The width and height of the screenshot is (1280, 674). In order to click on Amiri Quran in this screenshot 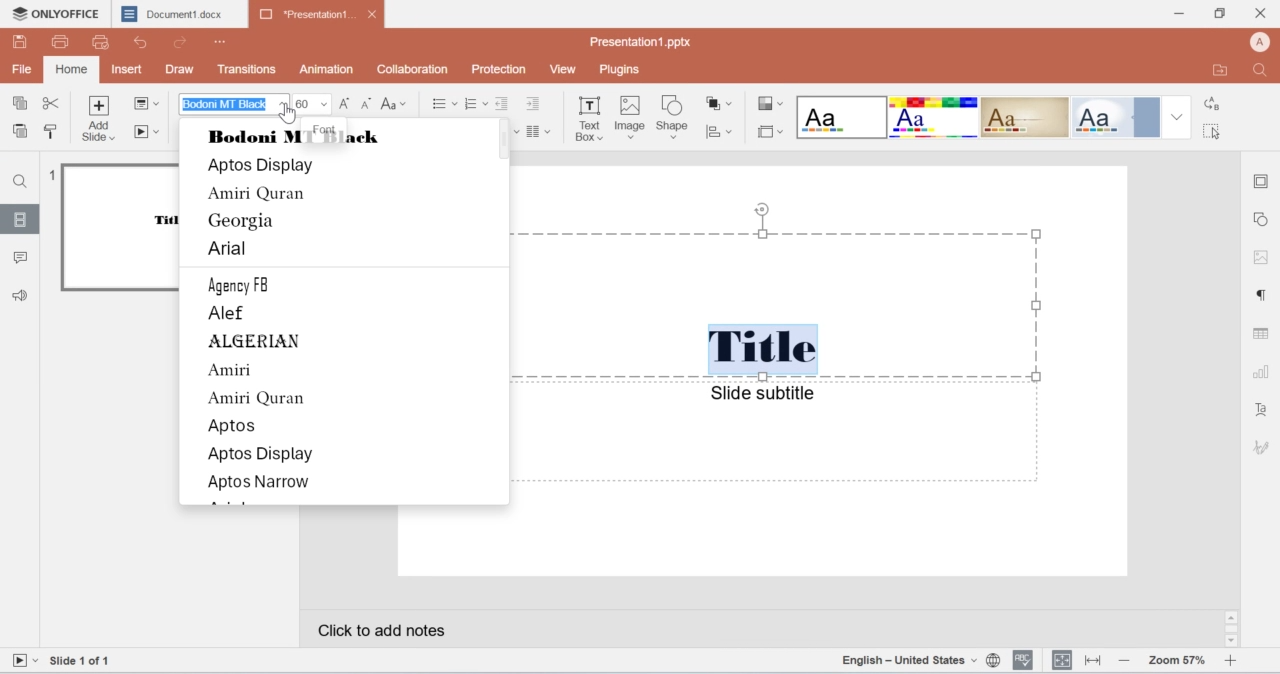, I will do `click(258, 194)`.